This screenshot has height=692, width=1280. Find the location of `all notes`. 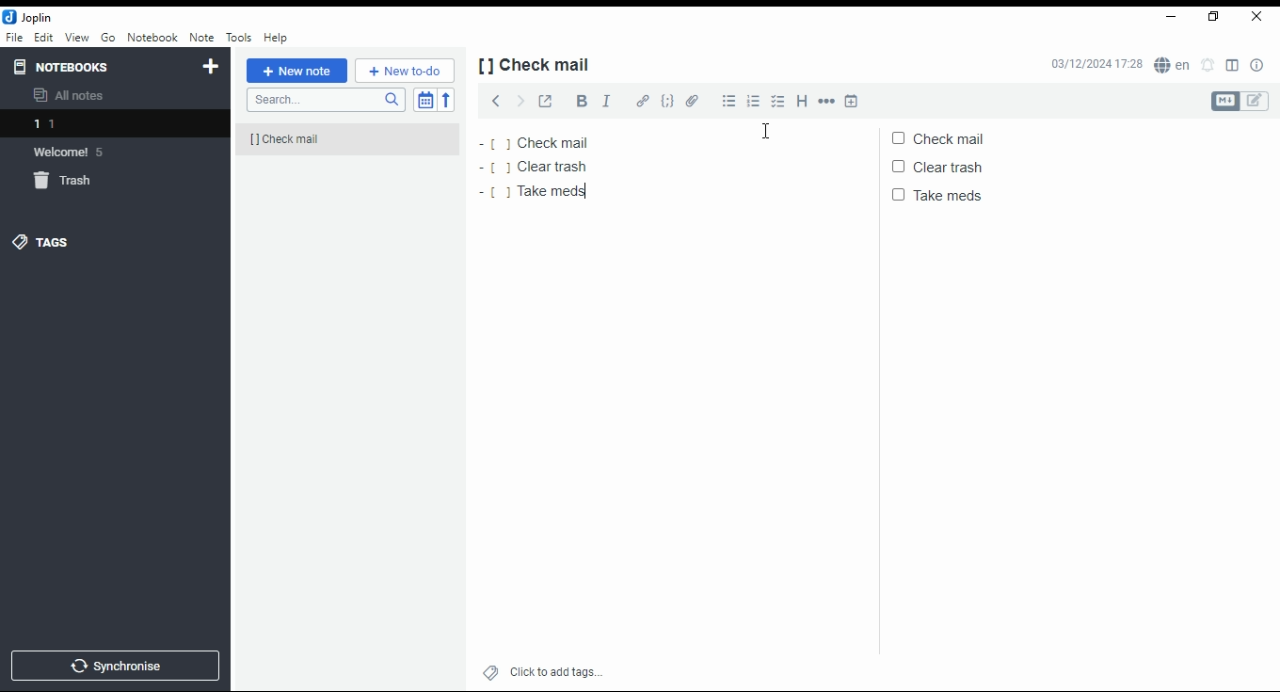

all notes is located at coordinates (73, 95).